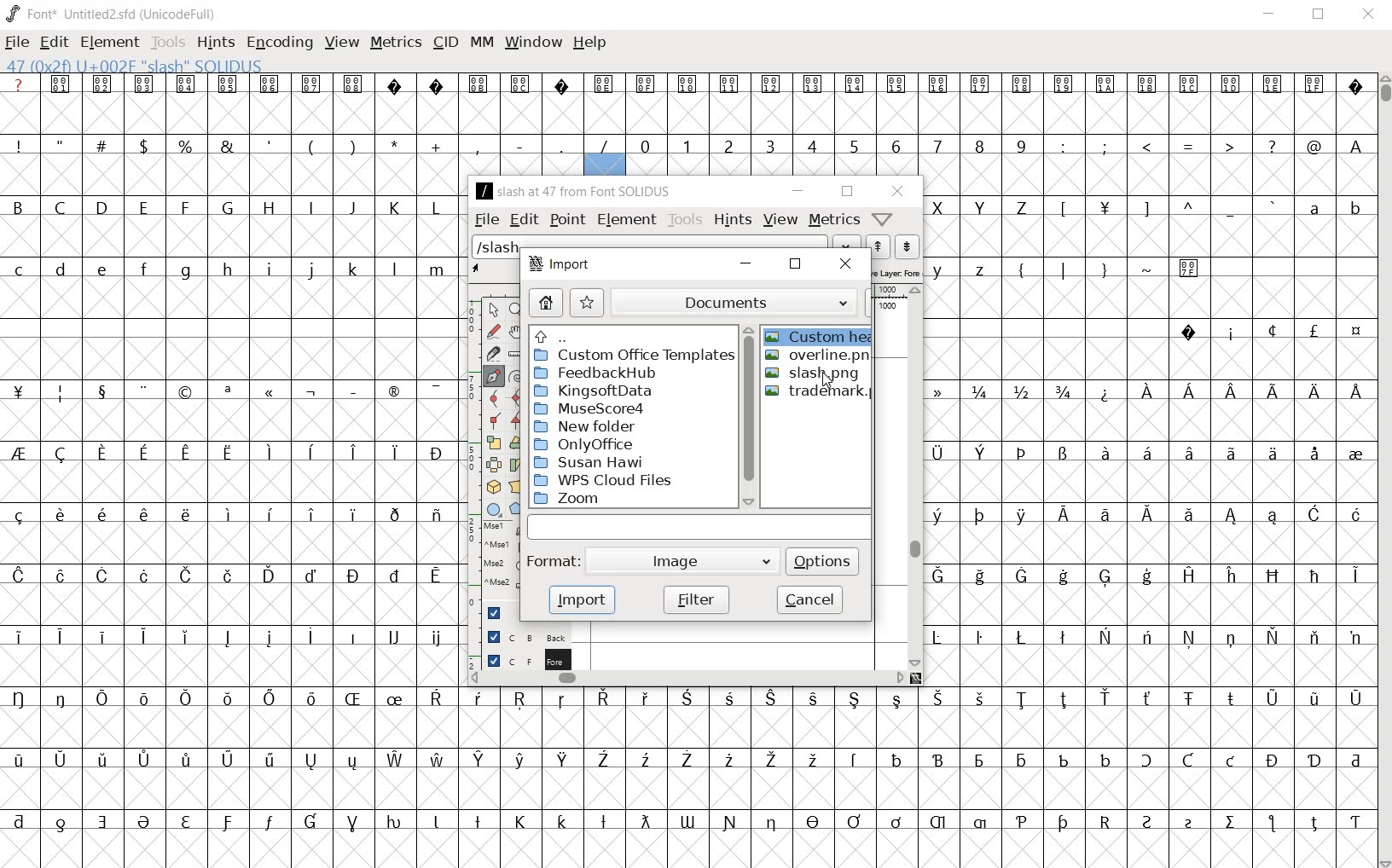 The width and height of the screenshot is (1392, 868). I want to click on trademark.png, so click(820, 392).